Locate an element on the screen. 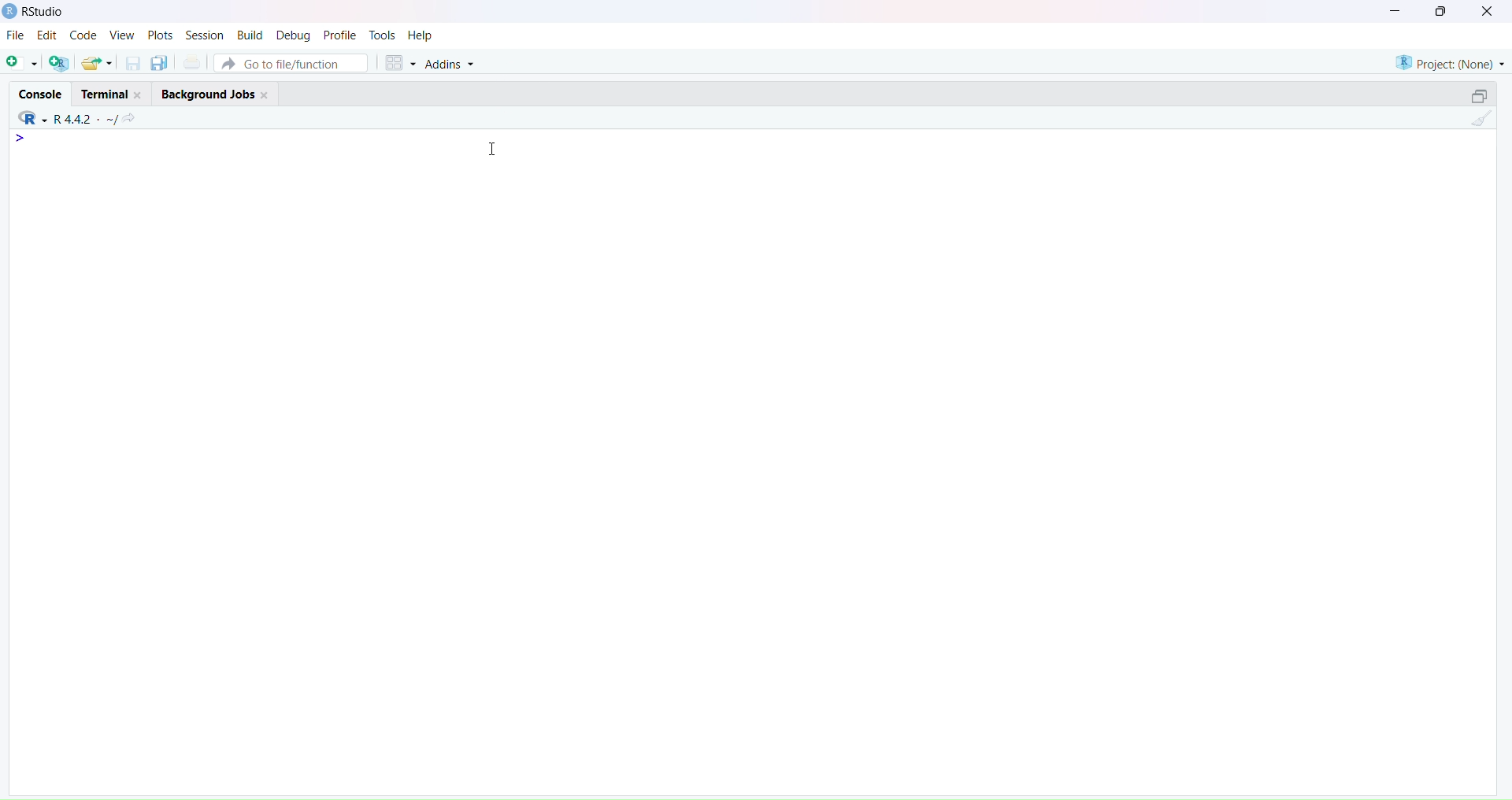  tools is located at coordinates (382, 35).